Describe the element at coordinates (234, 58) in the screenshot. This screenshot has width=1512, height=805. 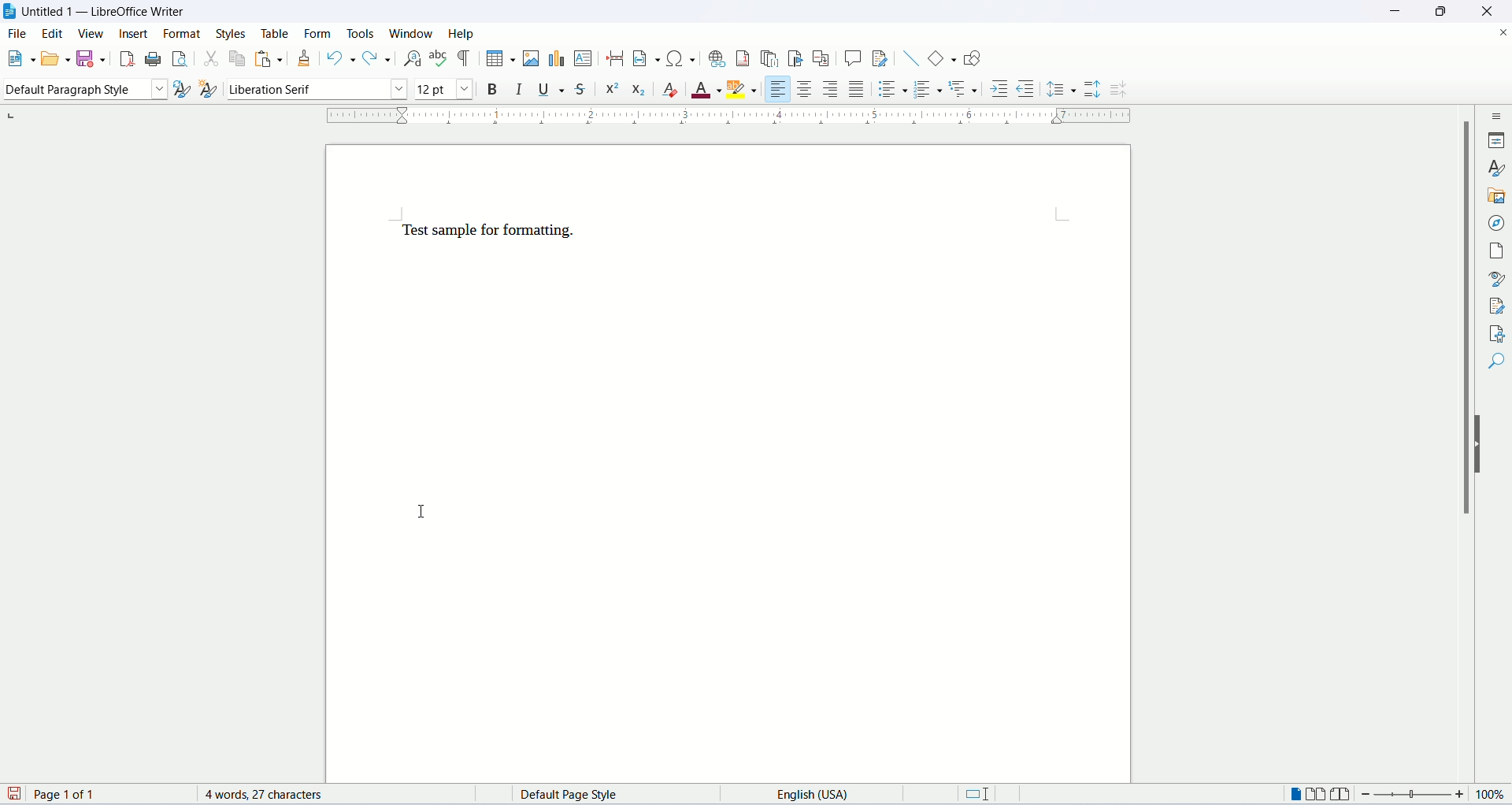
I see `copy` at that location.